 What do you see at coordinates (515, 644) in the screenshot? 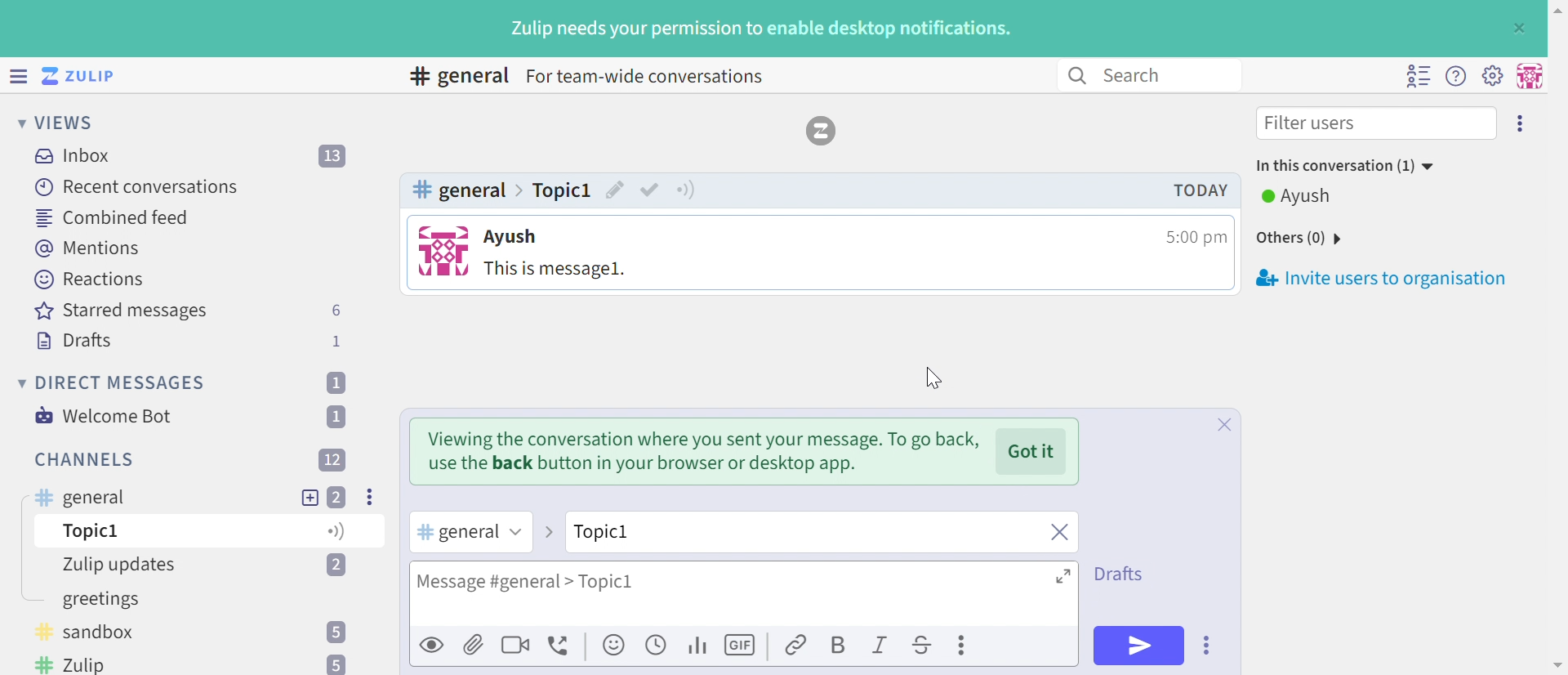
I see `Add video call` at bounding box center [515, 644].